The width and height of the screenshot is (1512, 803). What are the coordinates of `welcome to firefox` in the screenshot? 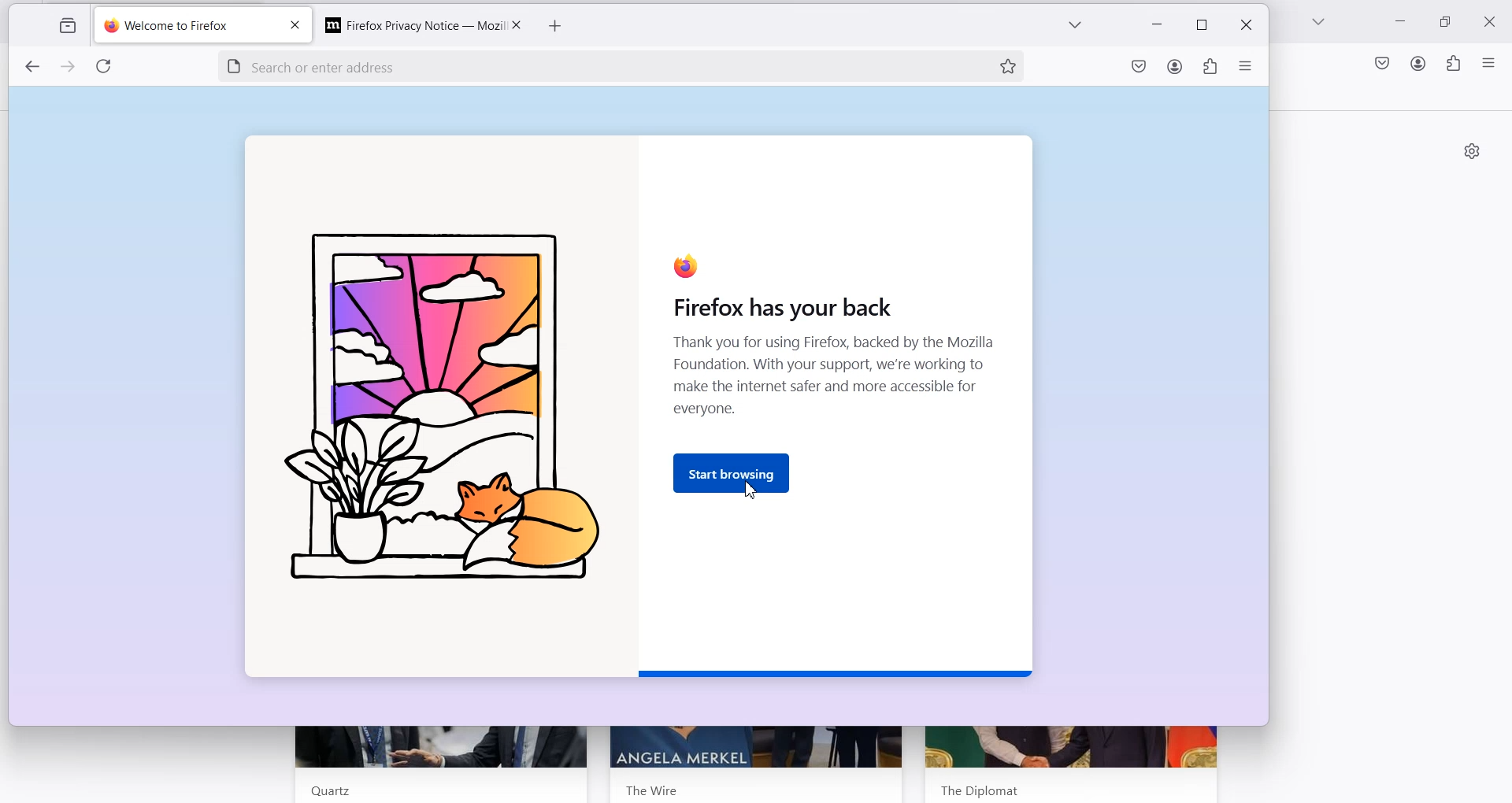 It's located at (185, 27).